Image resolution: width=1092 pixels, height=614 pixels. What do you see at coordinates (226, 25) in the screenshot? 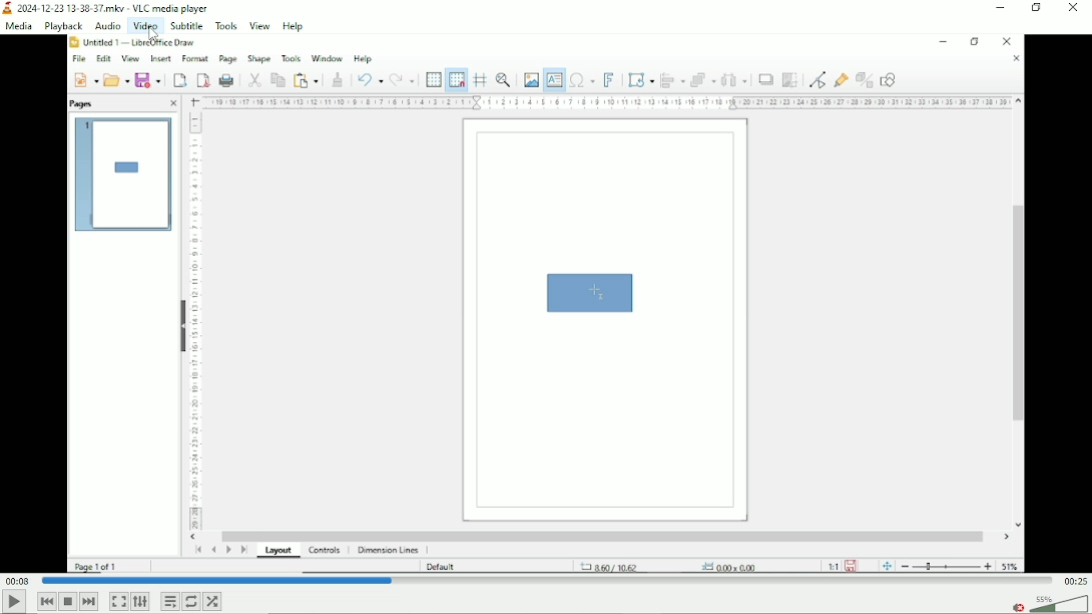
I see `Tools` at bounding box center [226, 25].